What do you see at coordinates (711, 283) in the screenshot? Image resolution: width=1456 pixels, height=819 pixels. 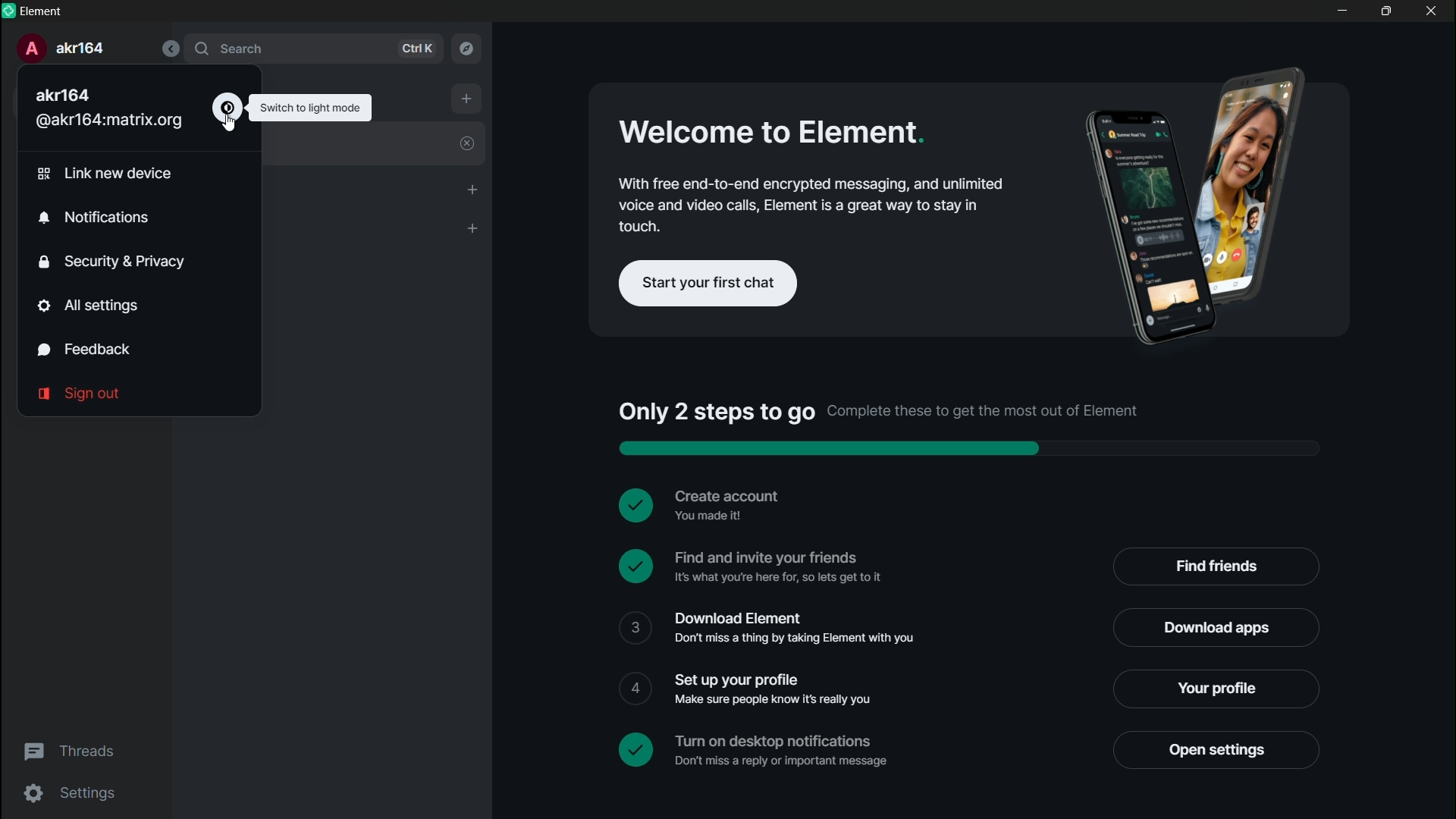 I see `start your first chat` at bounding box center [711, 283].